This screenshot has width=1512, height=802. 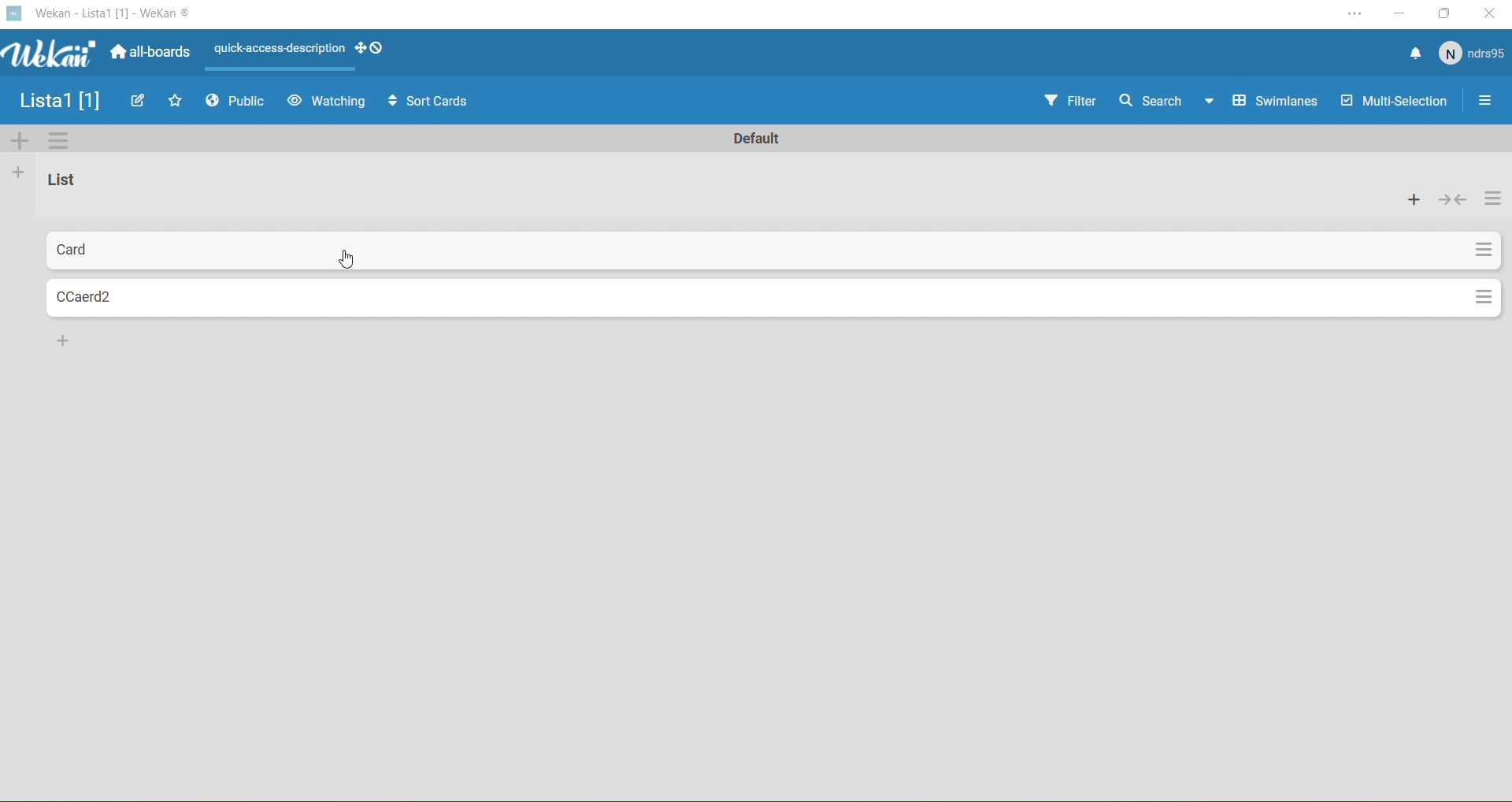 What do you see at coordinates (113, 14) in the screenshot?
I see `Wekan` at bounding box center [113, 14].